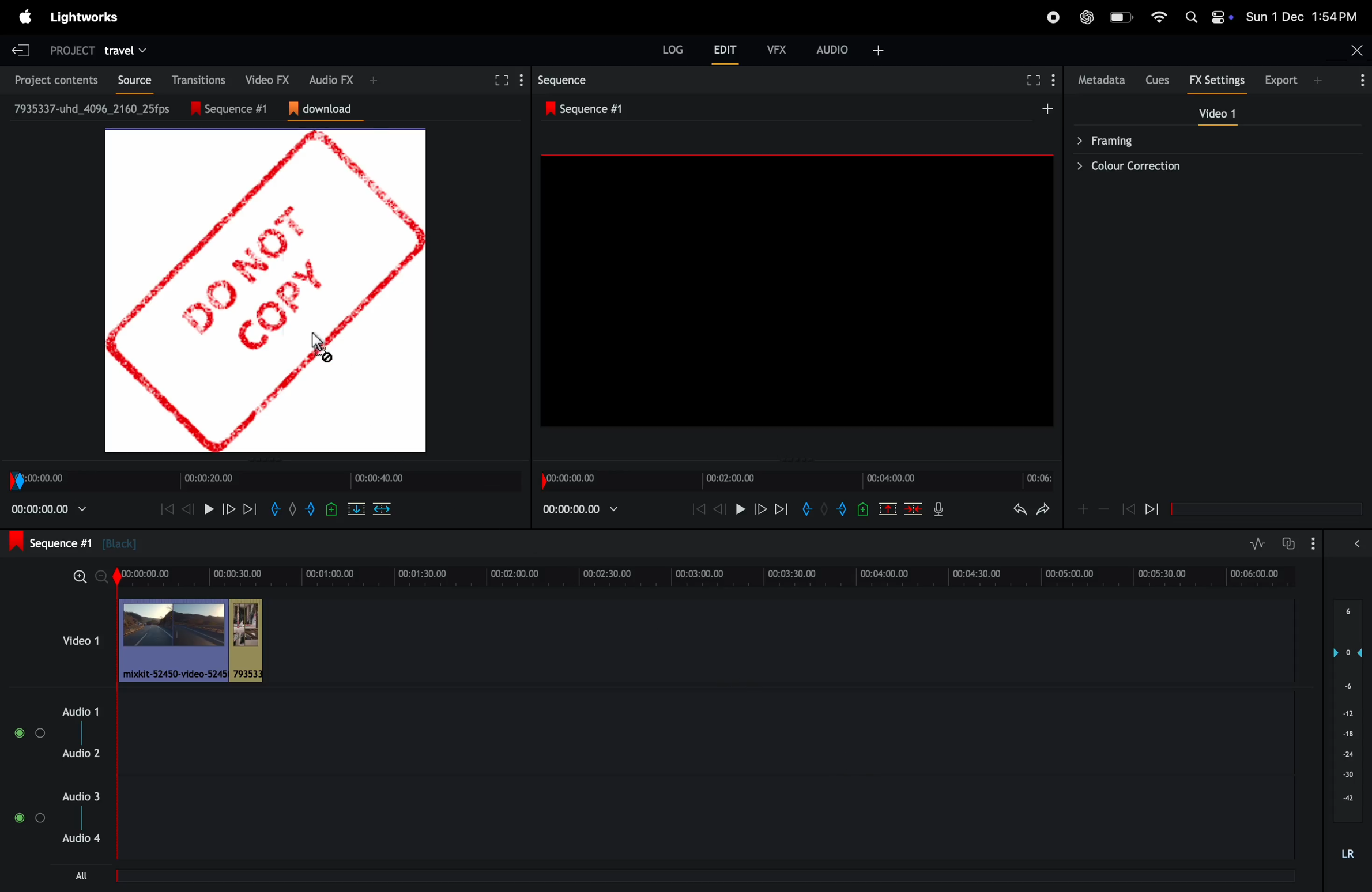  I want to click on forward, so click(228, 509).